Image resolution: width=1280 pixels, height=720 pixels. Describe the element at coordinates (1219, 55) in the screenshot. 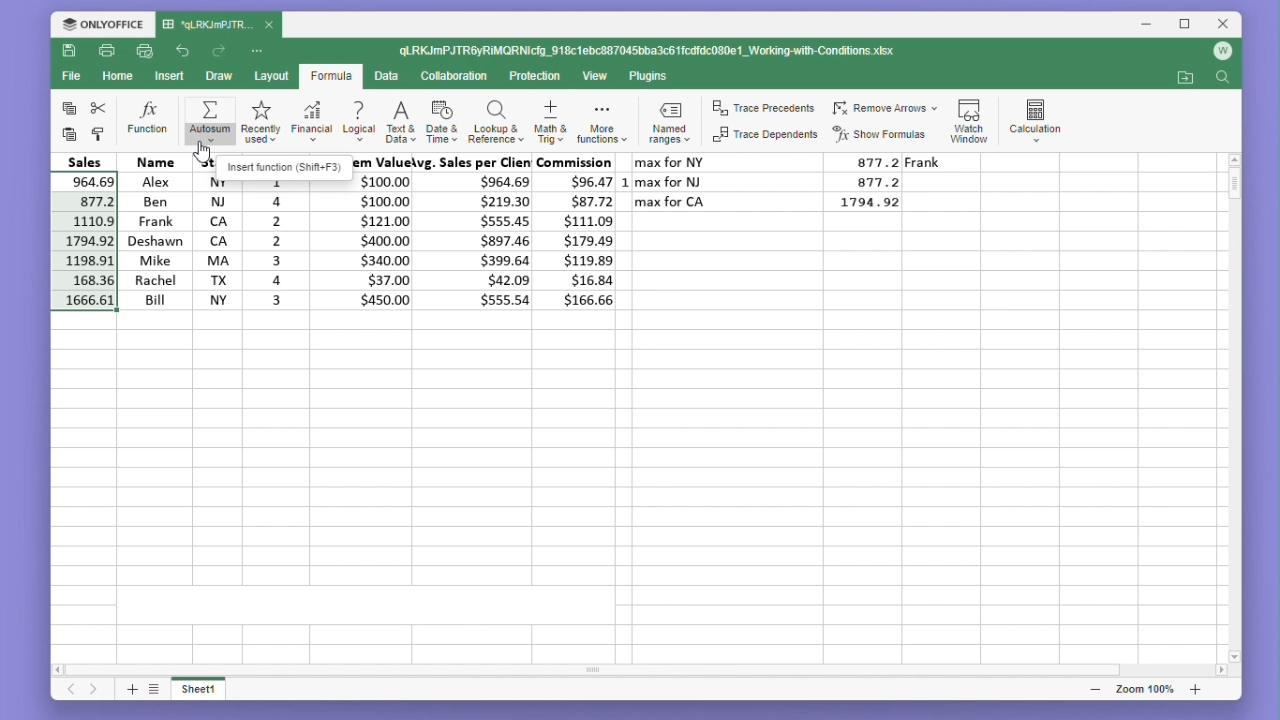

I see `Account icon` at that location.